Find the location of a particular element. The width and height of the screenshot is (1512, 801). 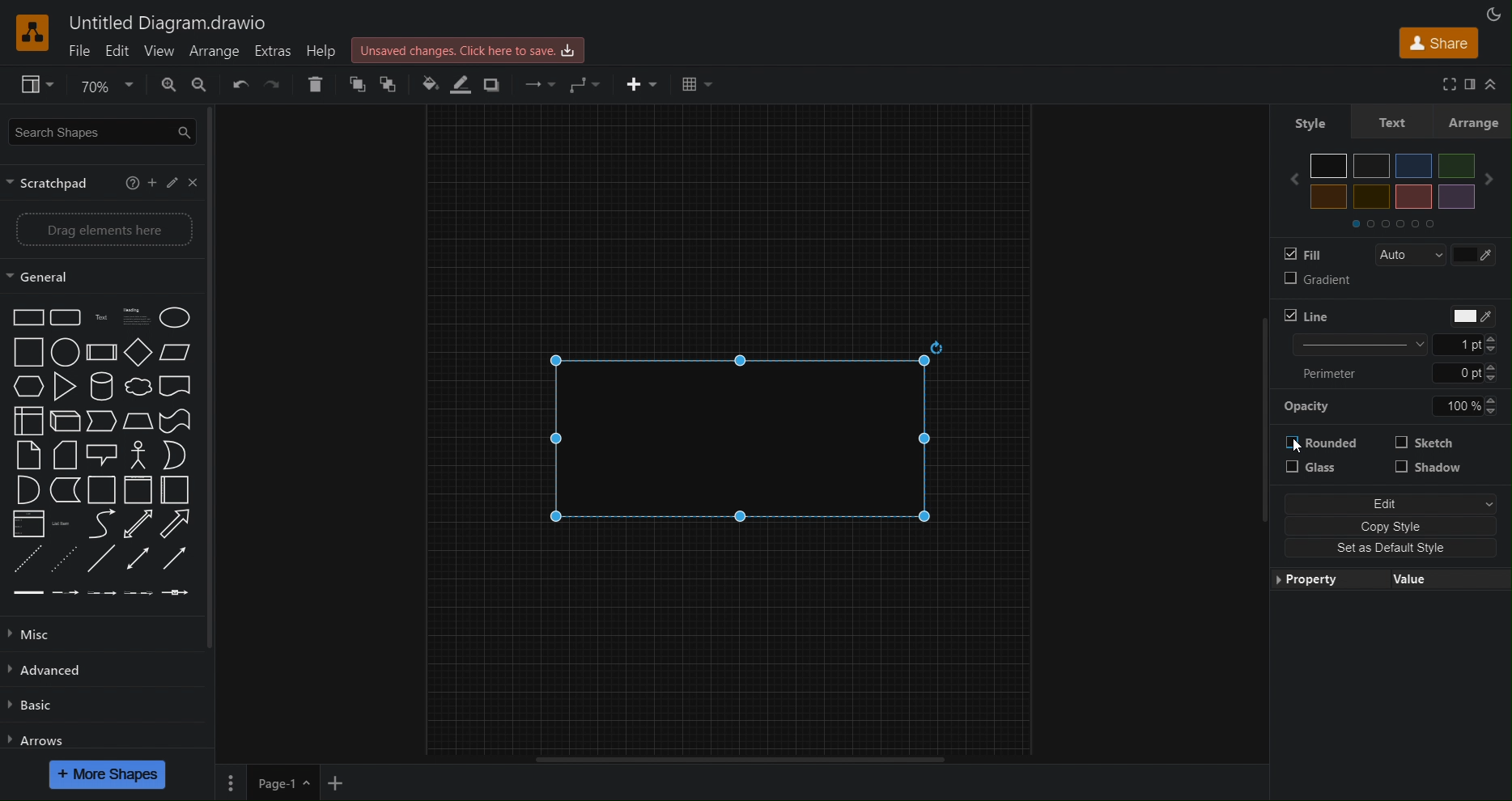

Line Color is located at coordinates (1470, 315).